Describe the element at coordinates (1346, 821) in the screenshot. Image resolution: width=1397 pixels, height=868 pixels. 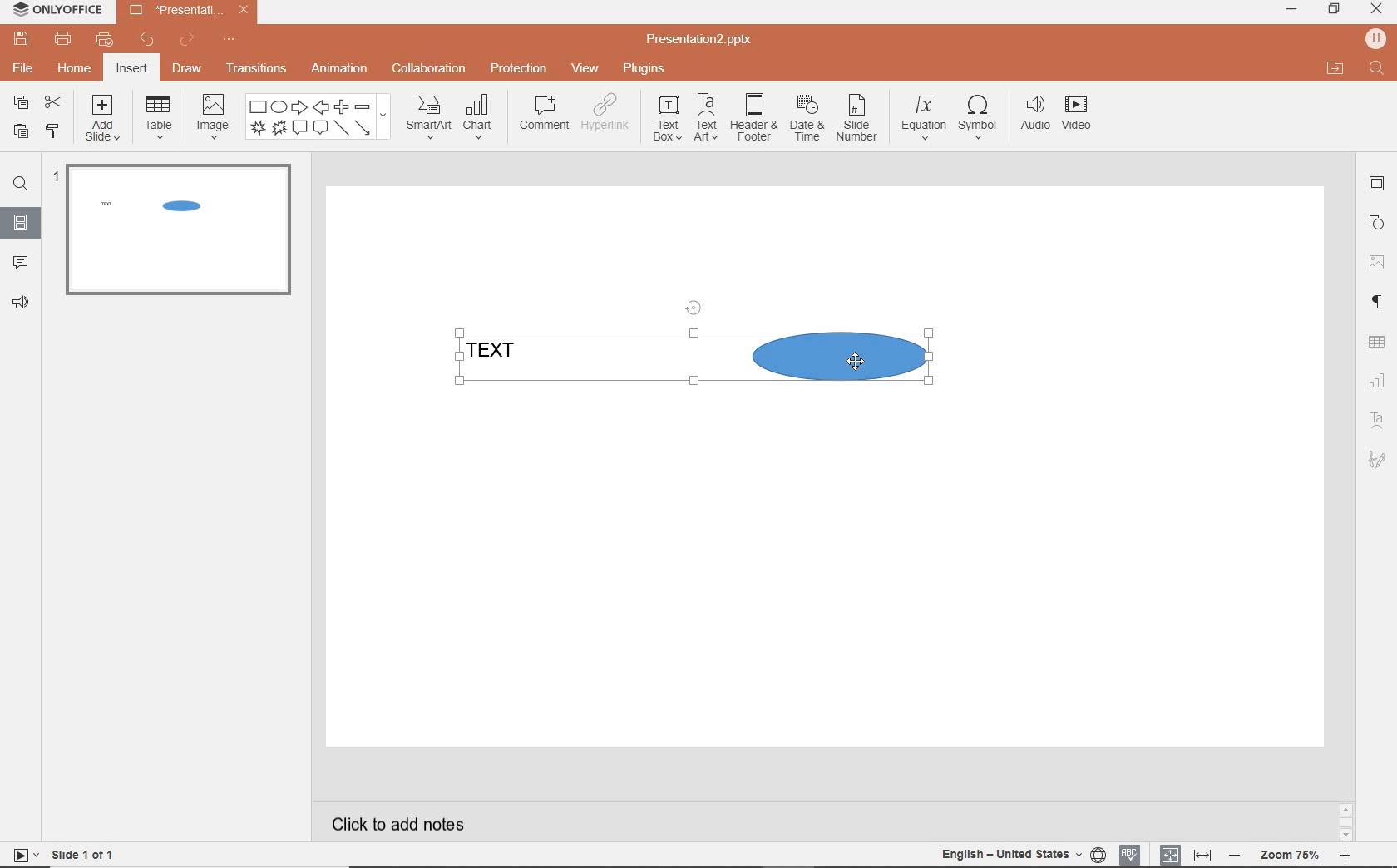
I see `SCROLLBAR` at that location.